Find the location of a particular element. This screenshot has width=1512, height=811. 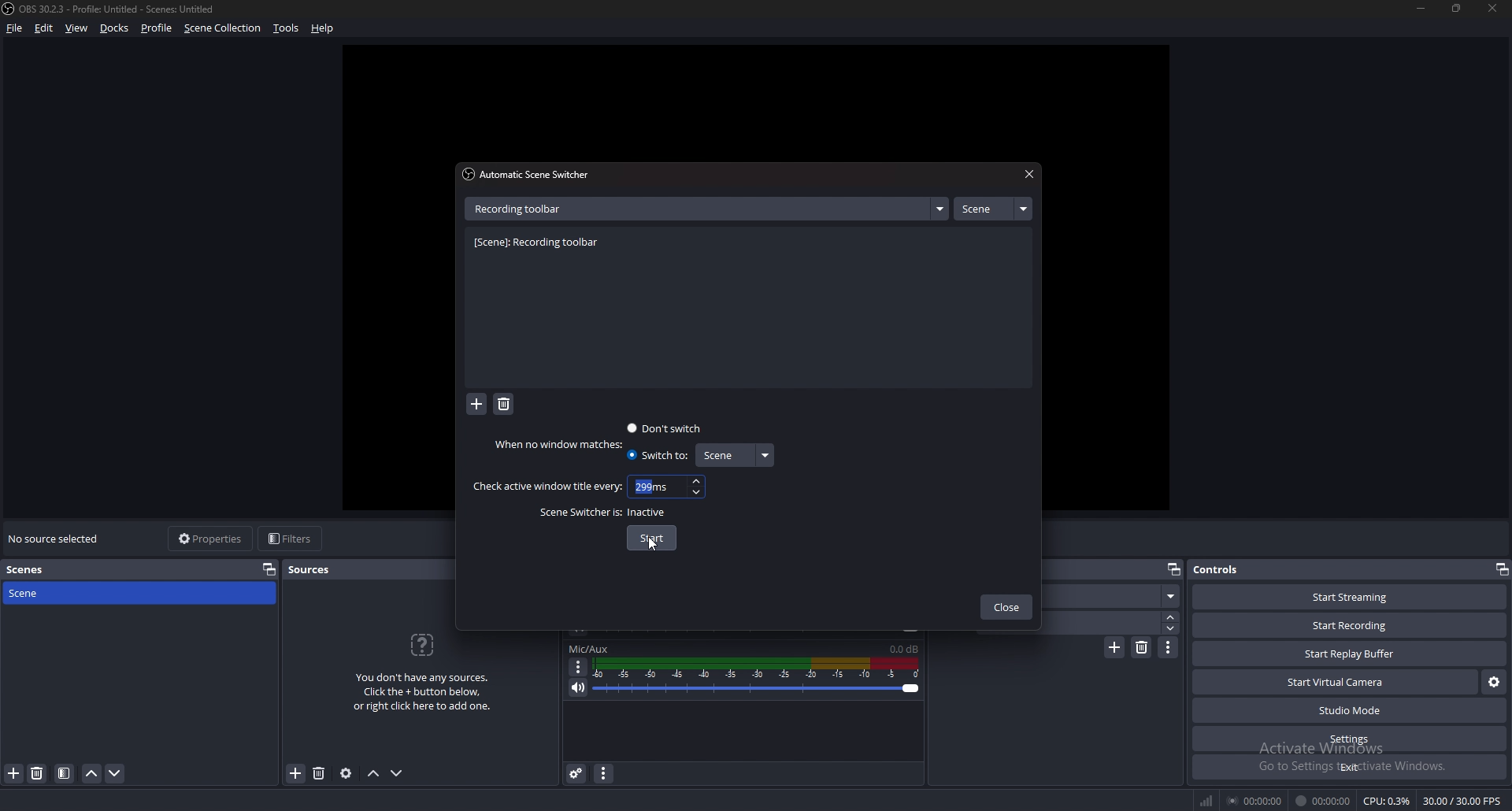

filter is located at coordinates (65, 773).